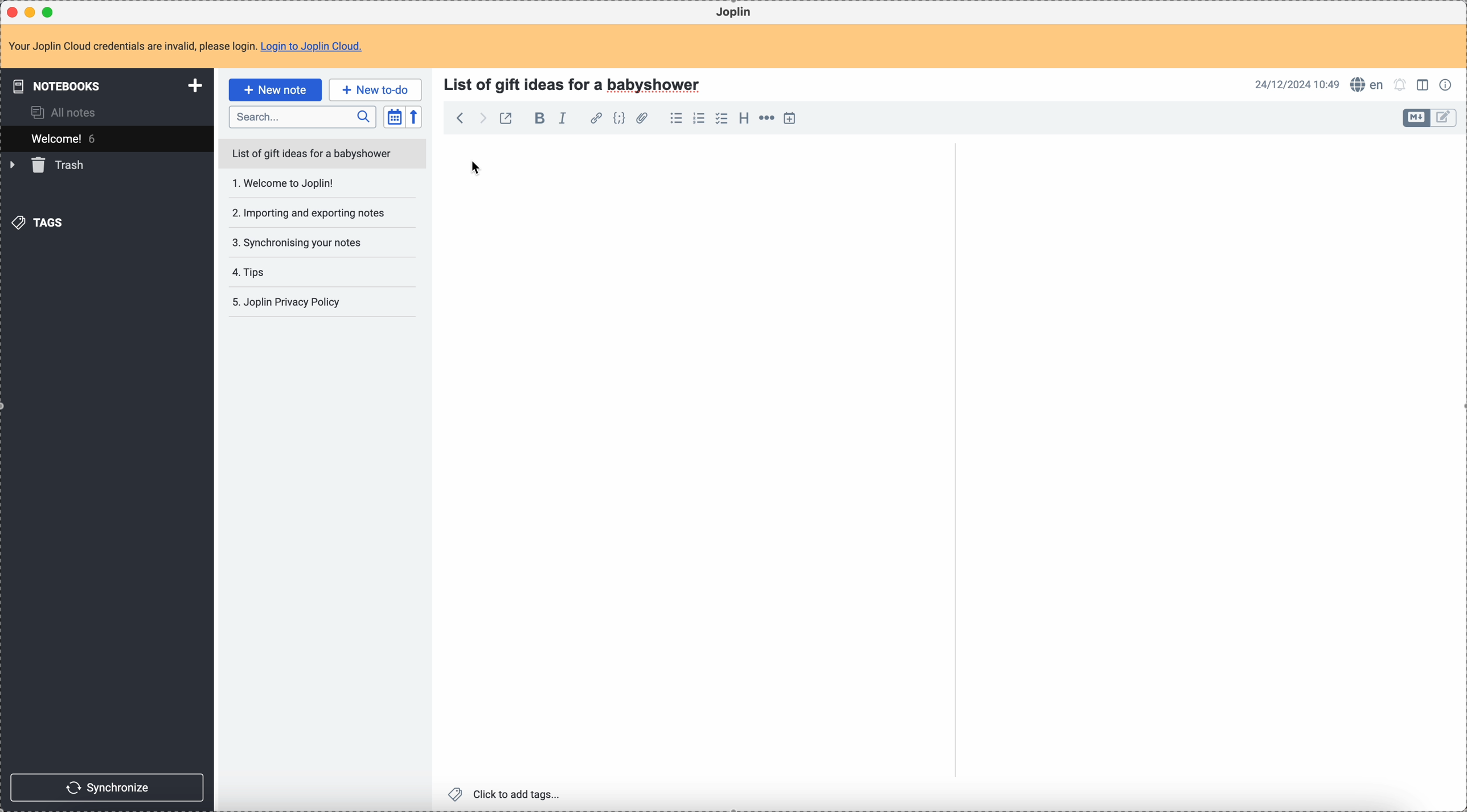 This screenshot has height=812, width=1467. What do you see at coordinates (413, 118) in the screenshot?
I see `reverse sort order` at bounding box center [413, 118].